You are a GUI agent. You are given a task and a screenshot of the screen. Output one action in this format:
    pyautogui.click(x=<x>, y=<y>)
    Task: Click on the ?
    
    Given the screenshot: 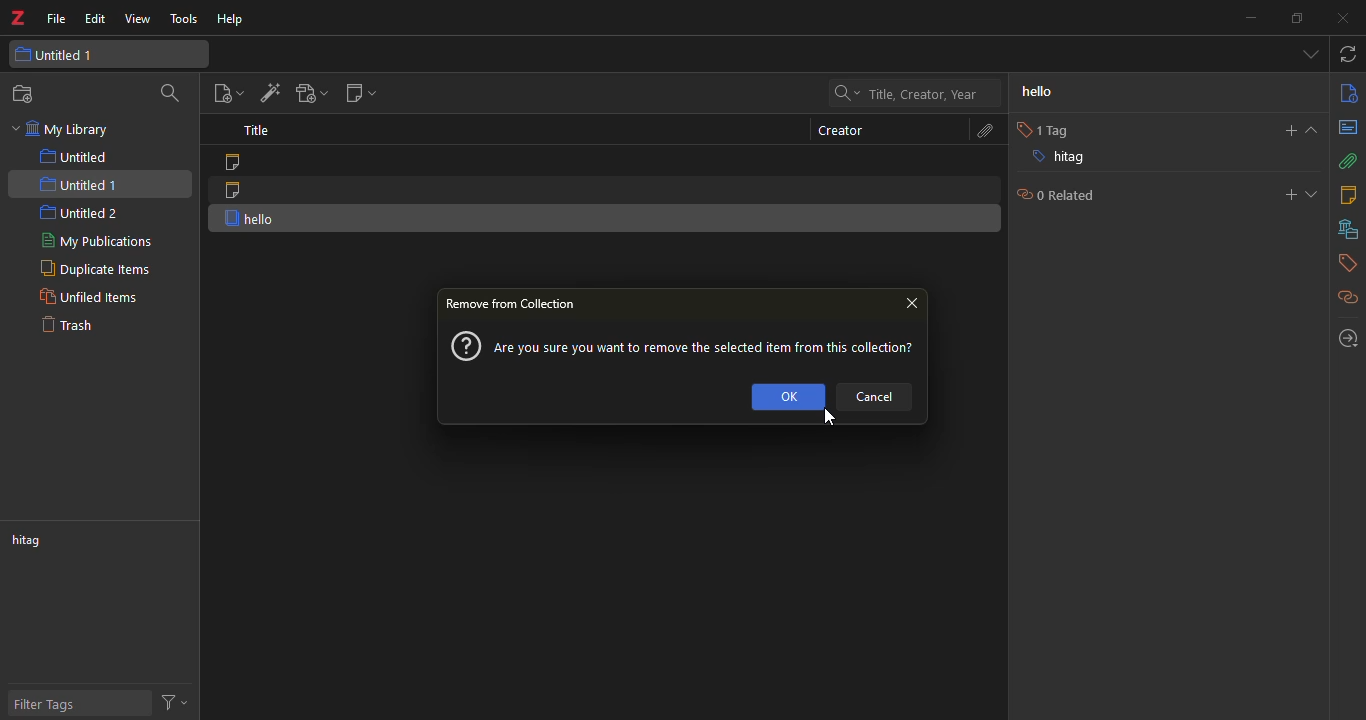 What is the action you would take?
    pyautogui.click(x=464, y=346)
    